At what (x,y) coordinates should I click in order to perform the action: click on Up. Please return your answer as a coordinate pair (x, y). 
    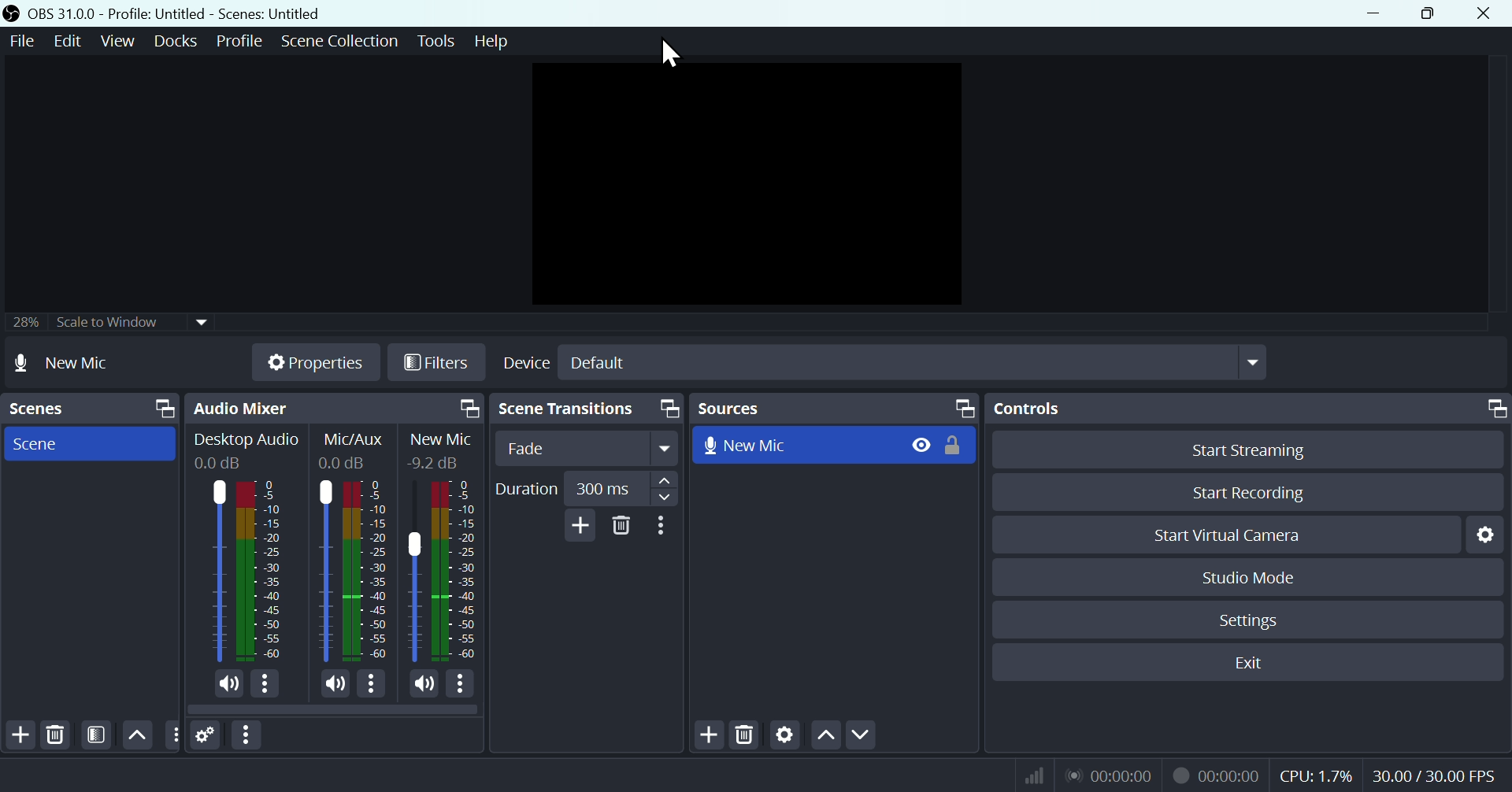
    Looking at the image, I should click on (825, 738).